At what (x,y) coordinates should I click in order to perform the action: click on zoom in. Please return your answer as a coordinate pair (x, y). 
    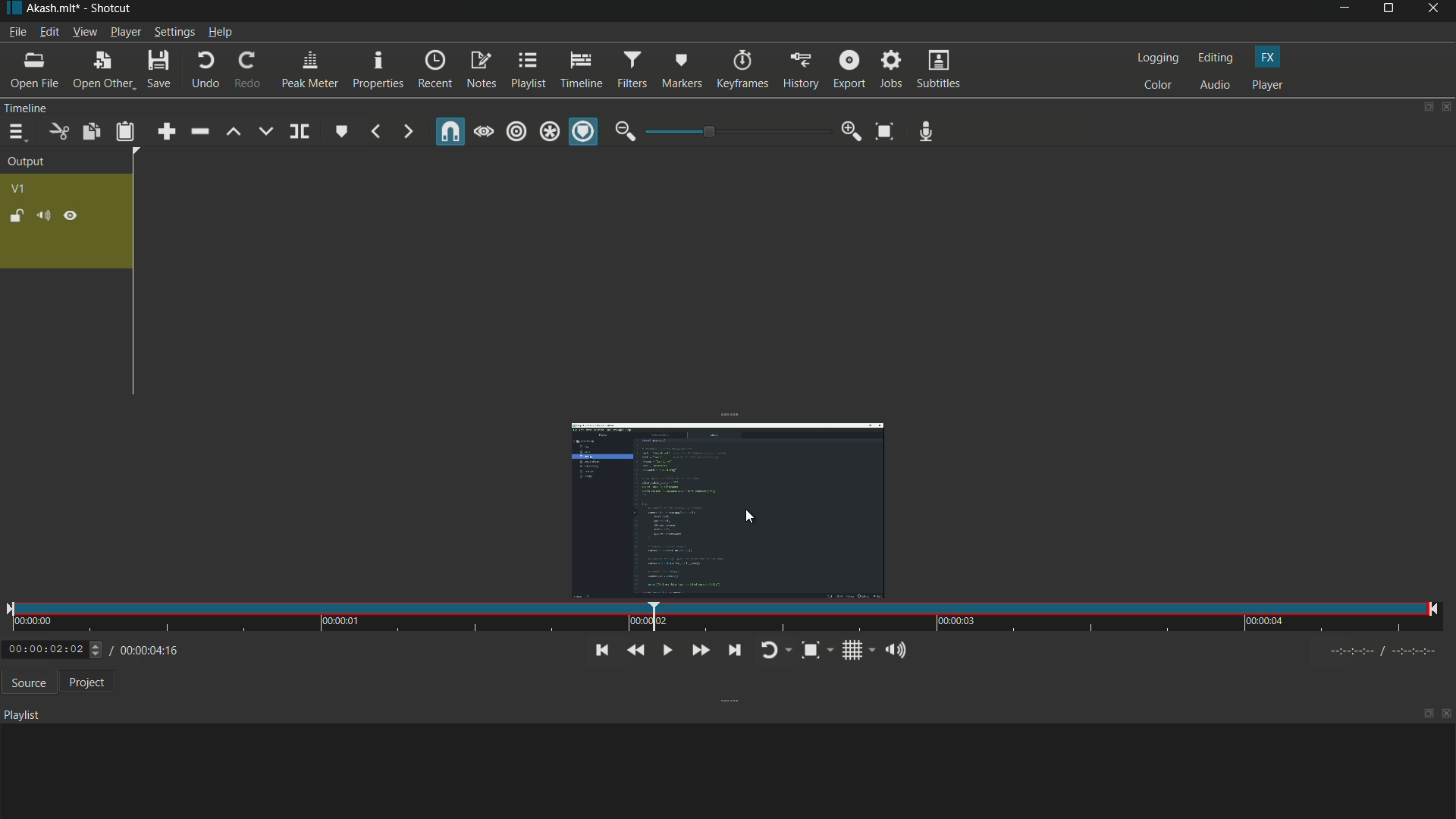
    Looking at the image, I should click on (852, 131).